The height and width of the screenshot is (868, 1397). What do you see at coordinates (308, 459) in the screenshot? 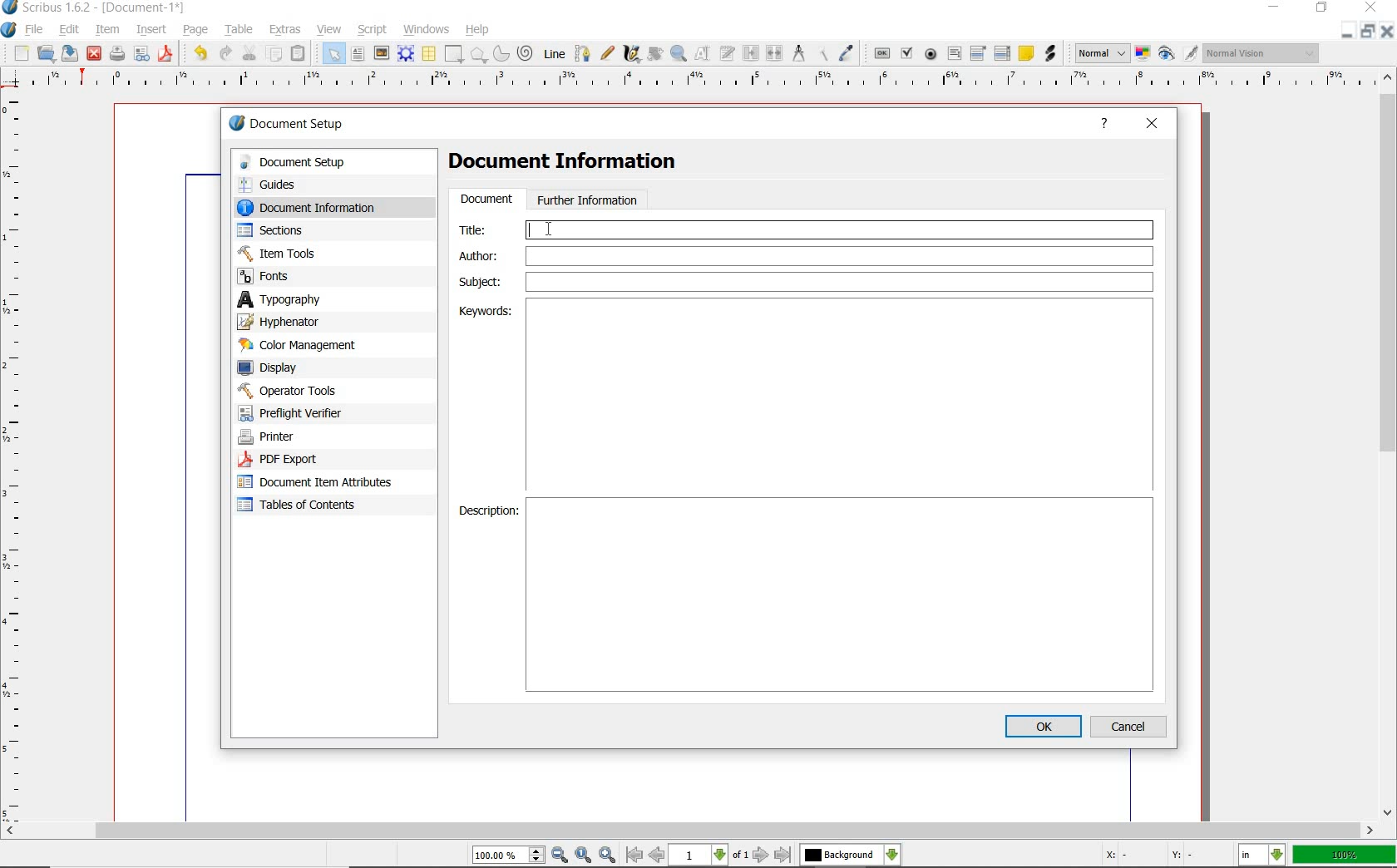
I see `PDF Export` at bounding box center [308, 459].